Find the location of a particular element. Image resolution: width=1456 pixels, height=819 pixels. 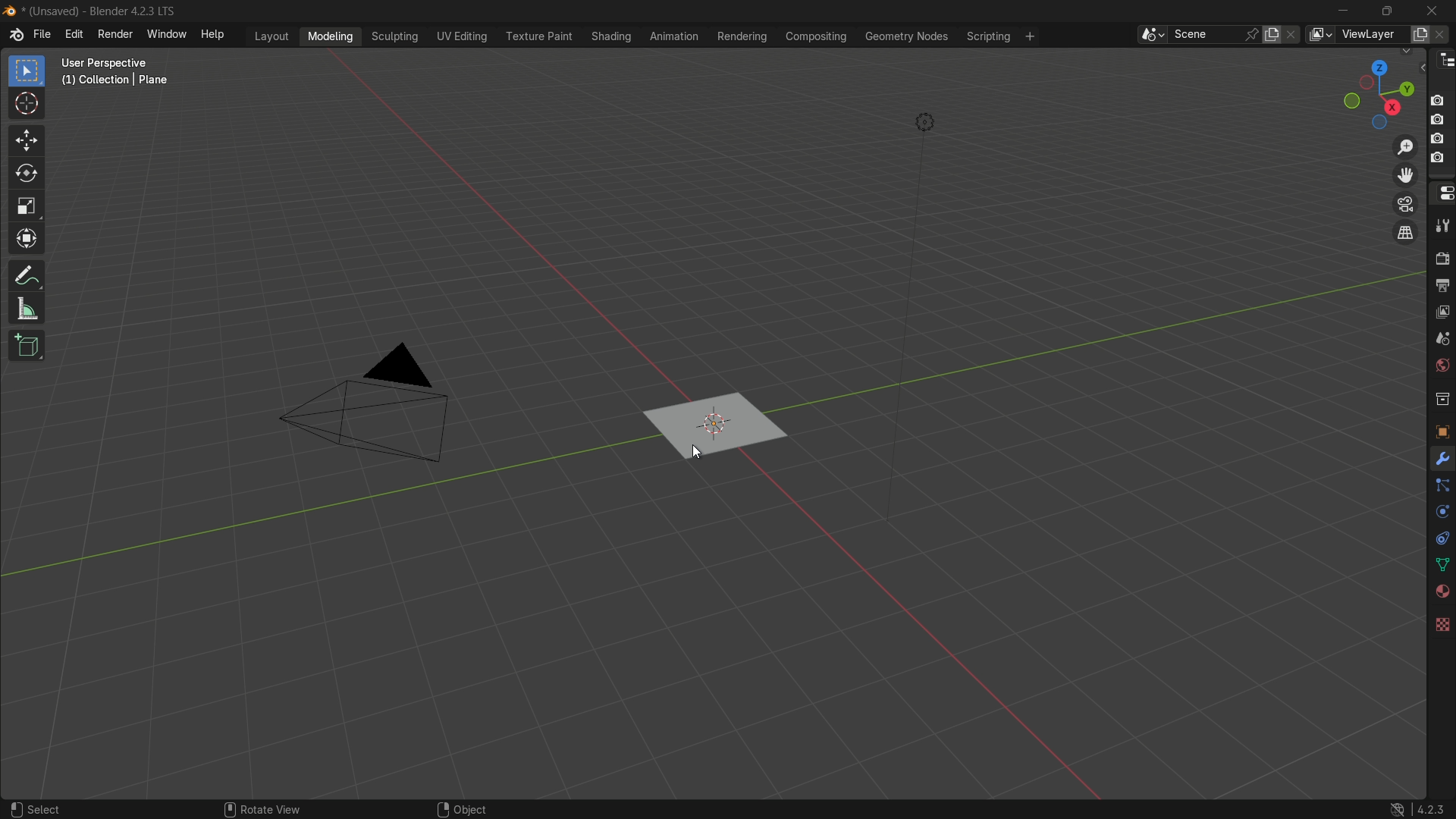

measure is located at coordinates (28, 312).